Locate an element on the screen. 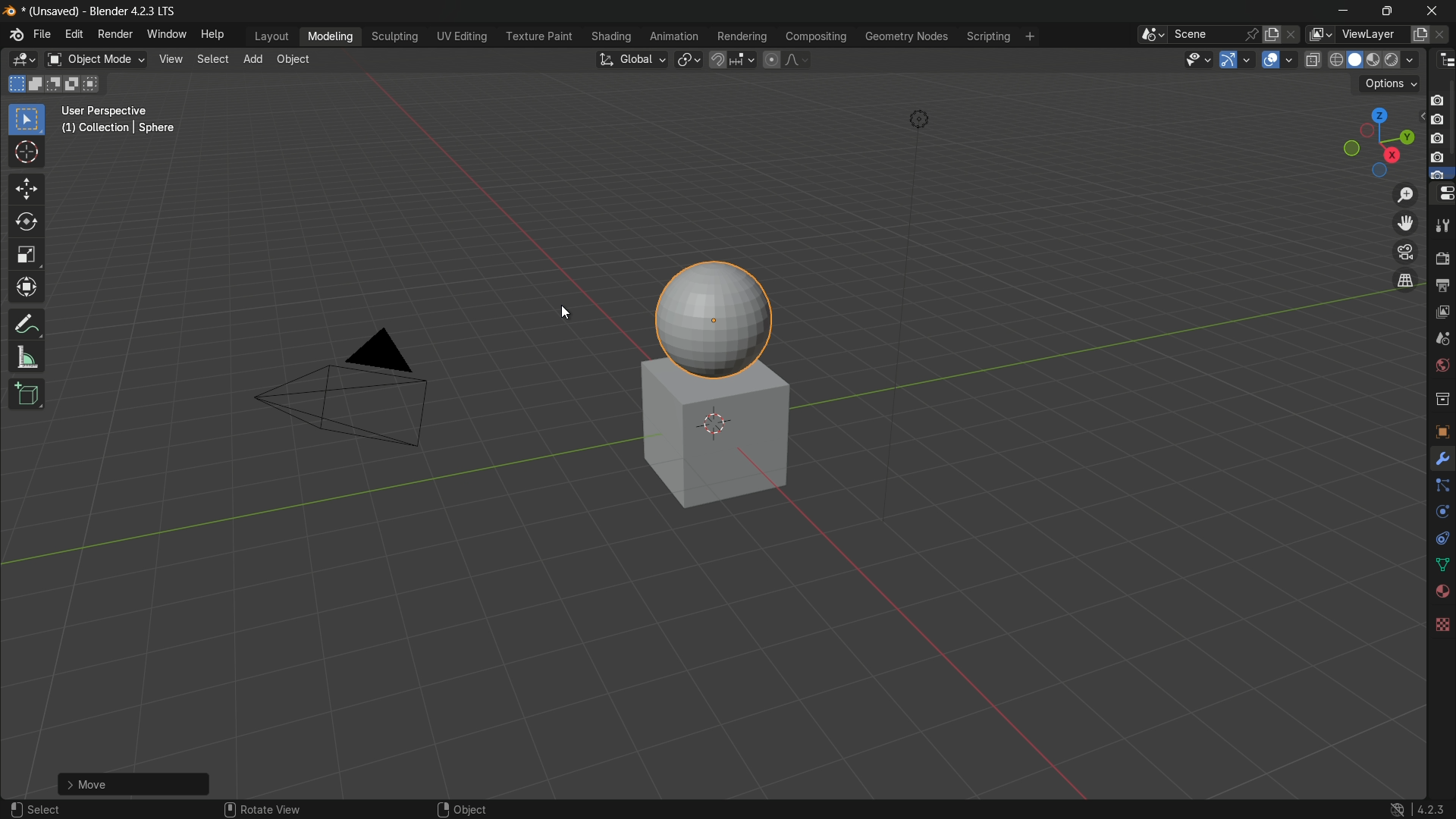 Image resolution: width=1456 pixels, height=819 pixels. remove layer is located at coordinates (1446, 36).